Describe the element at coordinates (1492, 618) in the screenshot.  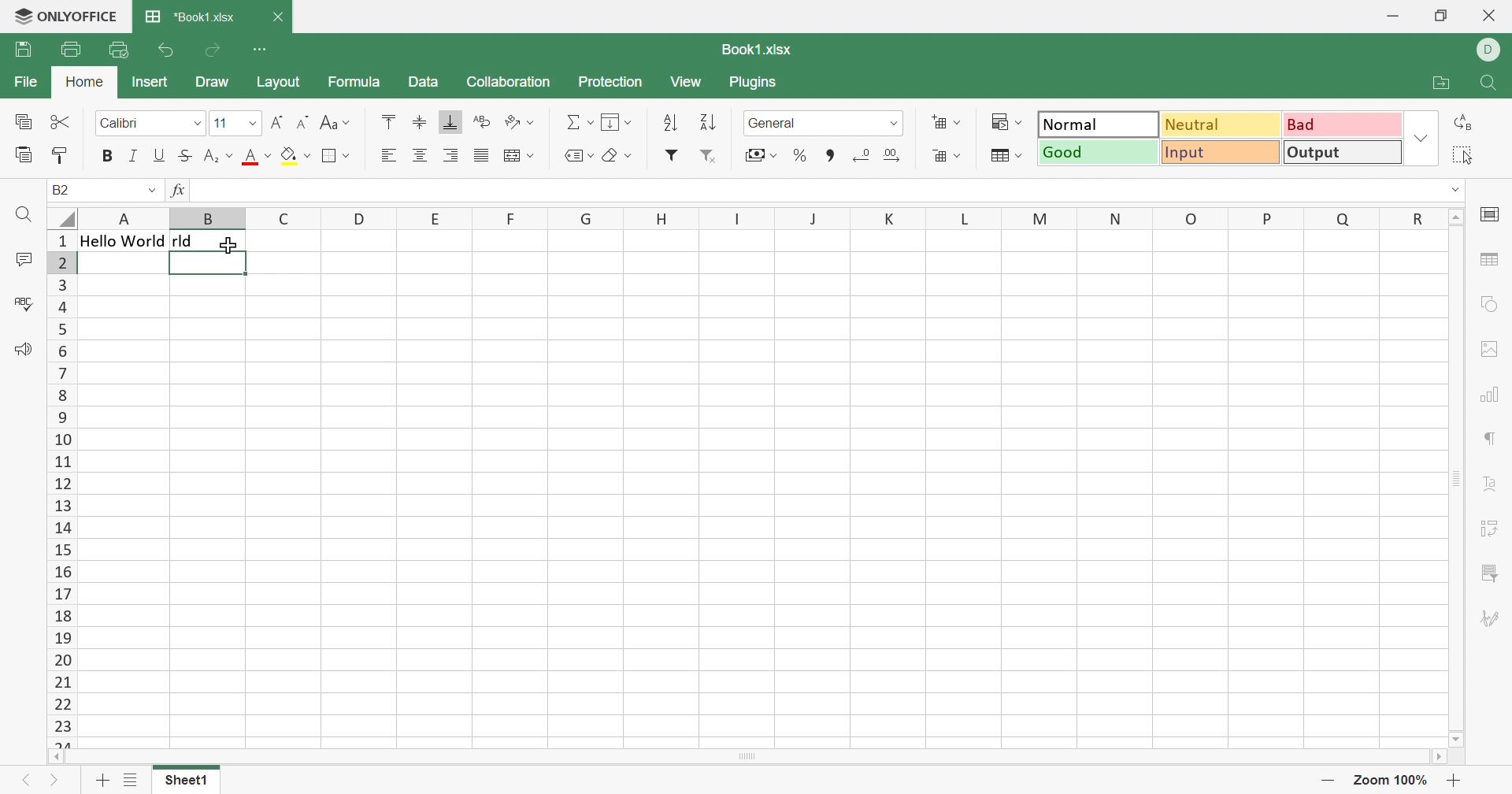
I see `Signature settings` at that location.